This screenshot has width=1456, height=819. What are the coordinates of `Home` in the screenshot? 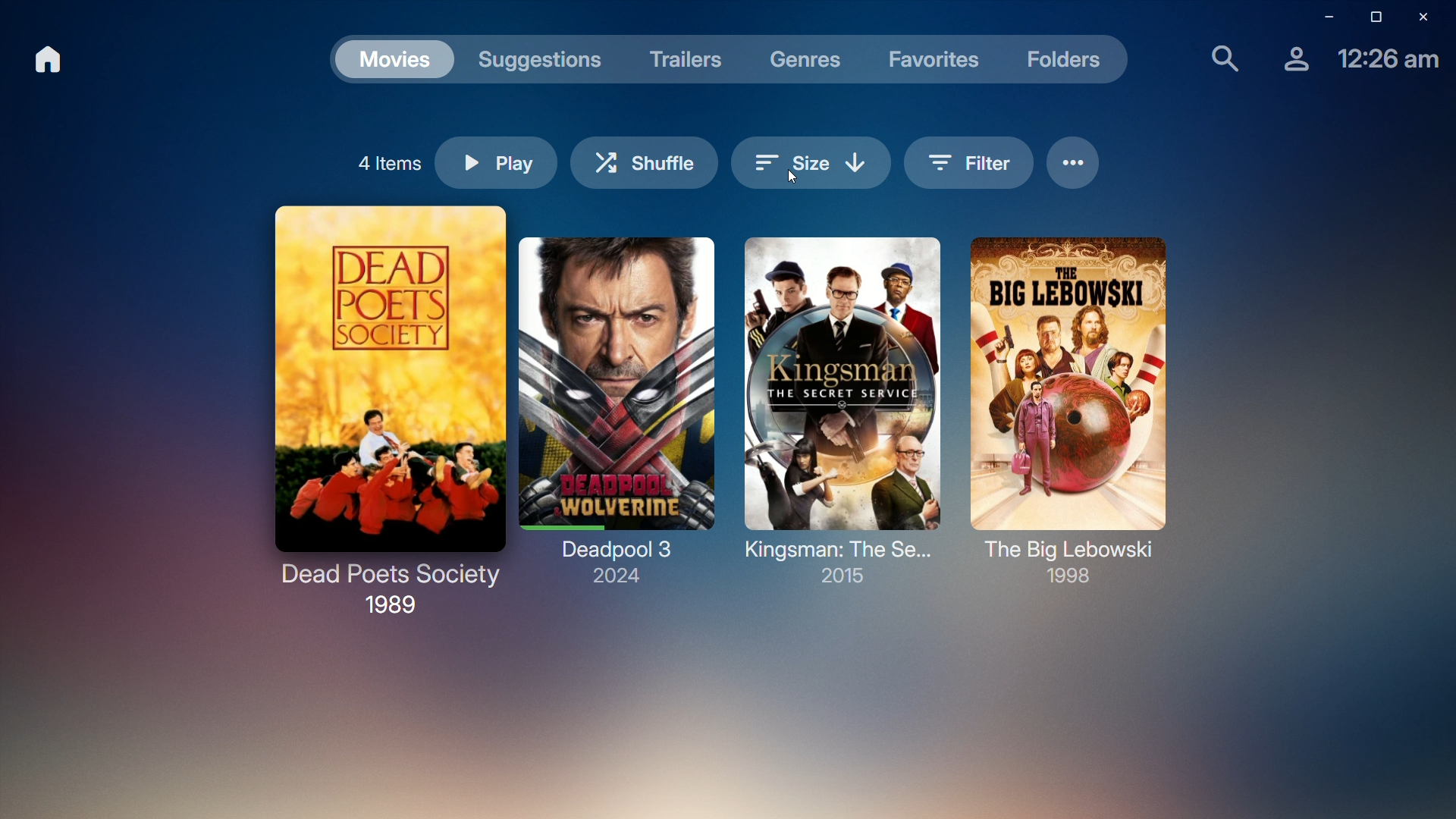 It's located at (52, 62).